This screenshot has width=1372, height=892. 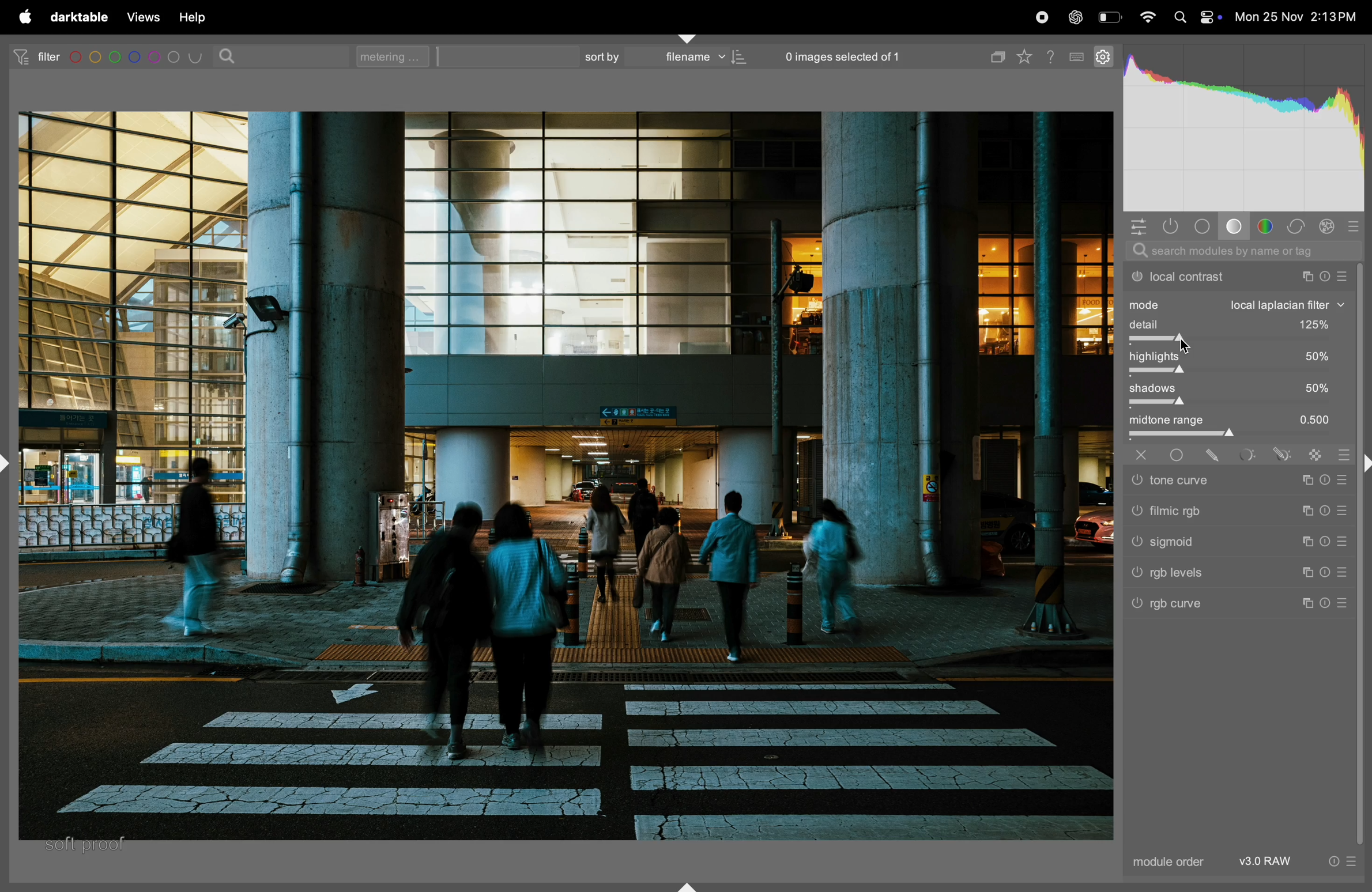 I want to click on help, so click(x=193, y=17).